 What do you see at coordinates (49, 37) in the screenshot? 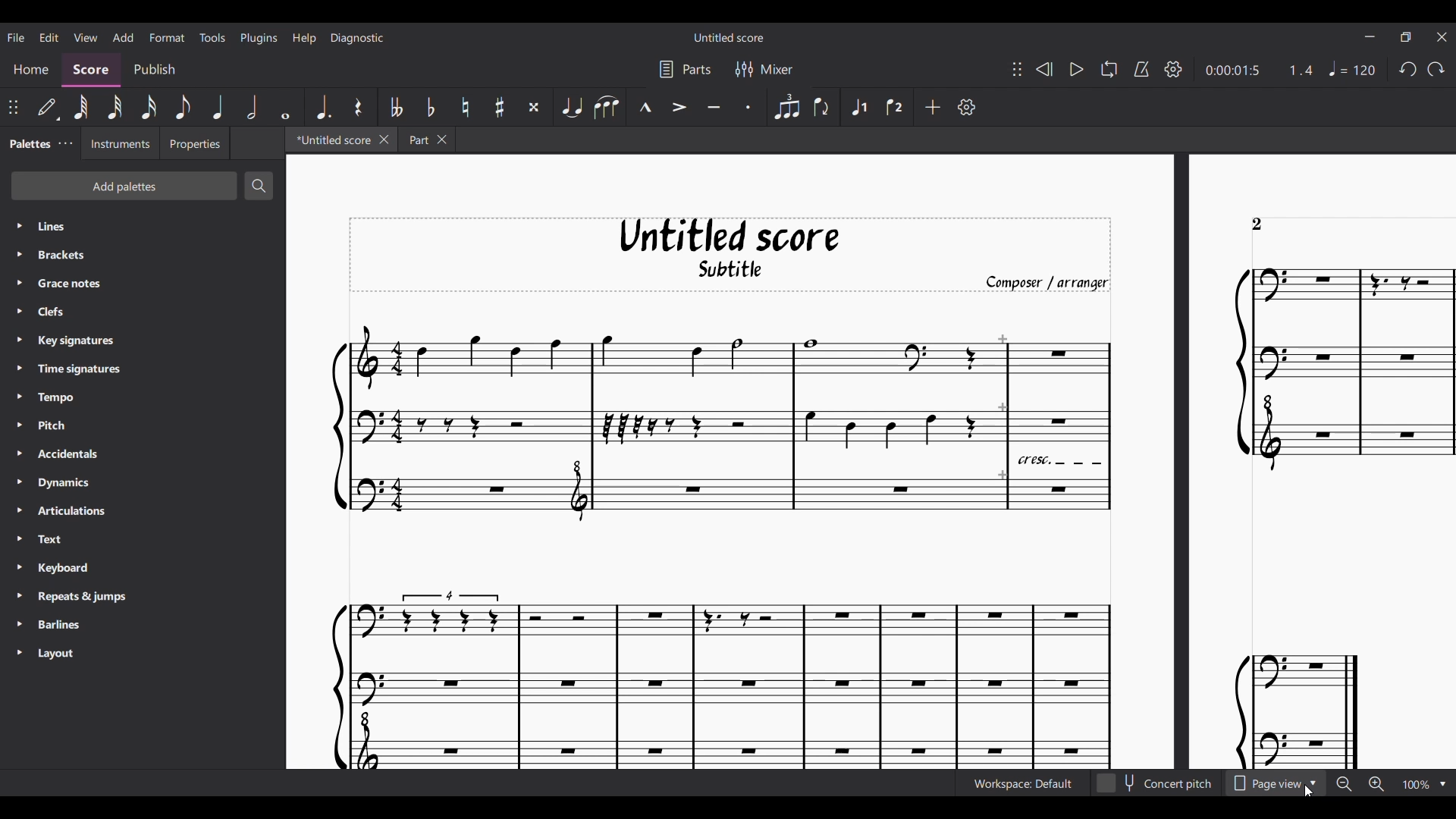
I see `Edit menu` at bounding box center [49, 37].